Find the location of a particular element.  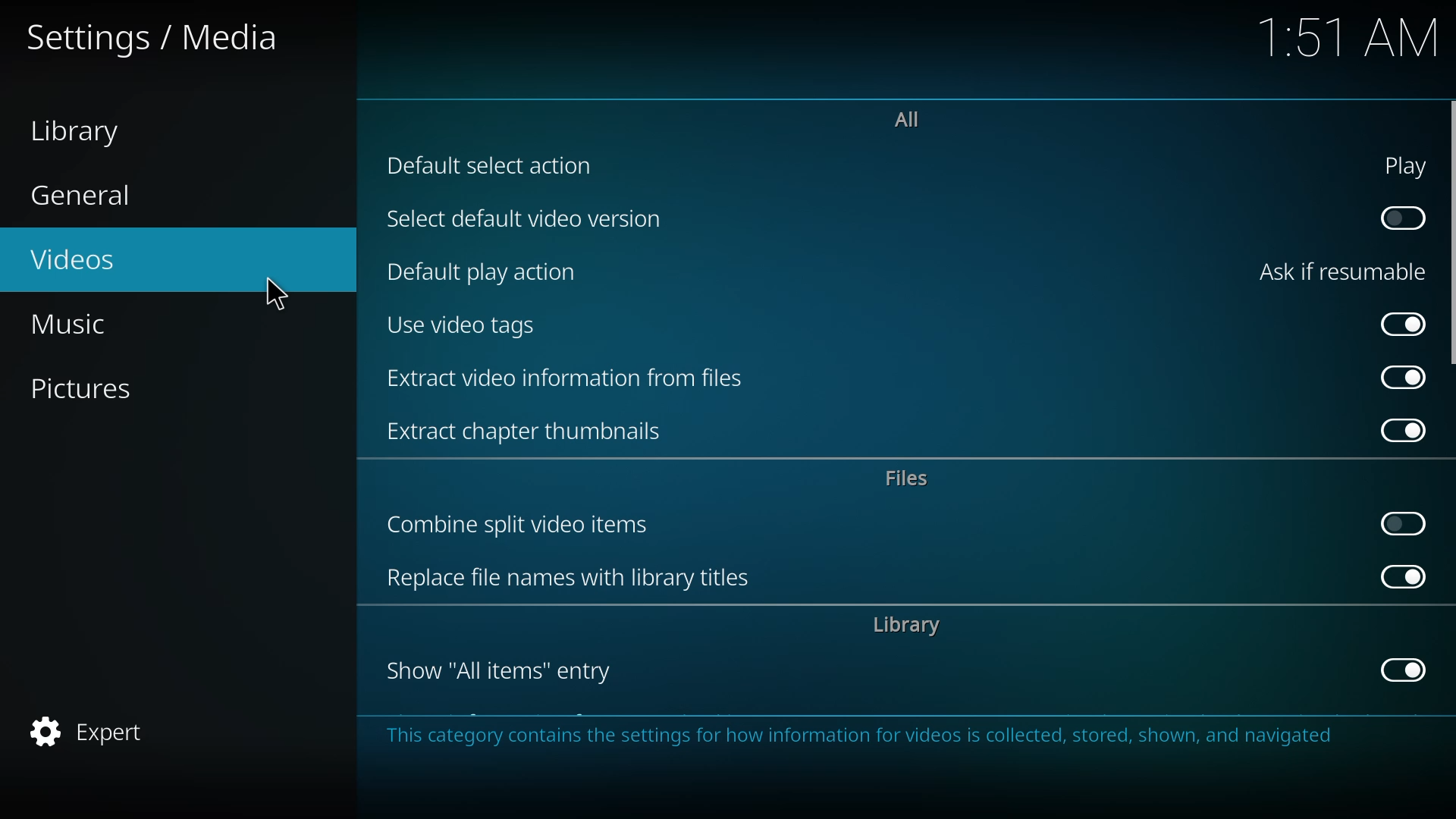

enabled is located at coordinates (1397, 430).